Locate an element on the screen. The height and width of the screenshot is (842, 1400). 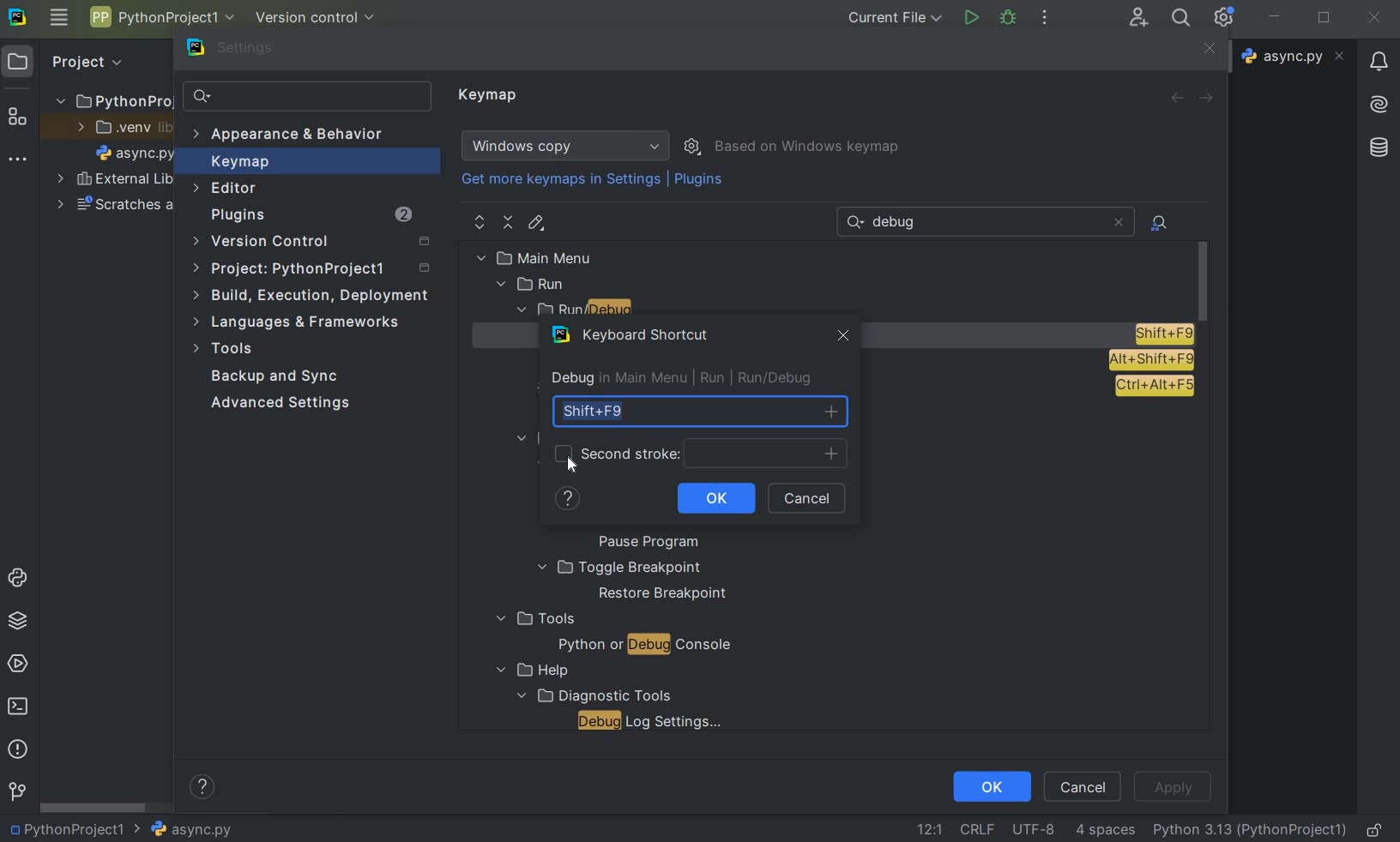
main menu is located at coordinates (58, 17).